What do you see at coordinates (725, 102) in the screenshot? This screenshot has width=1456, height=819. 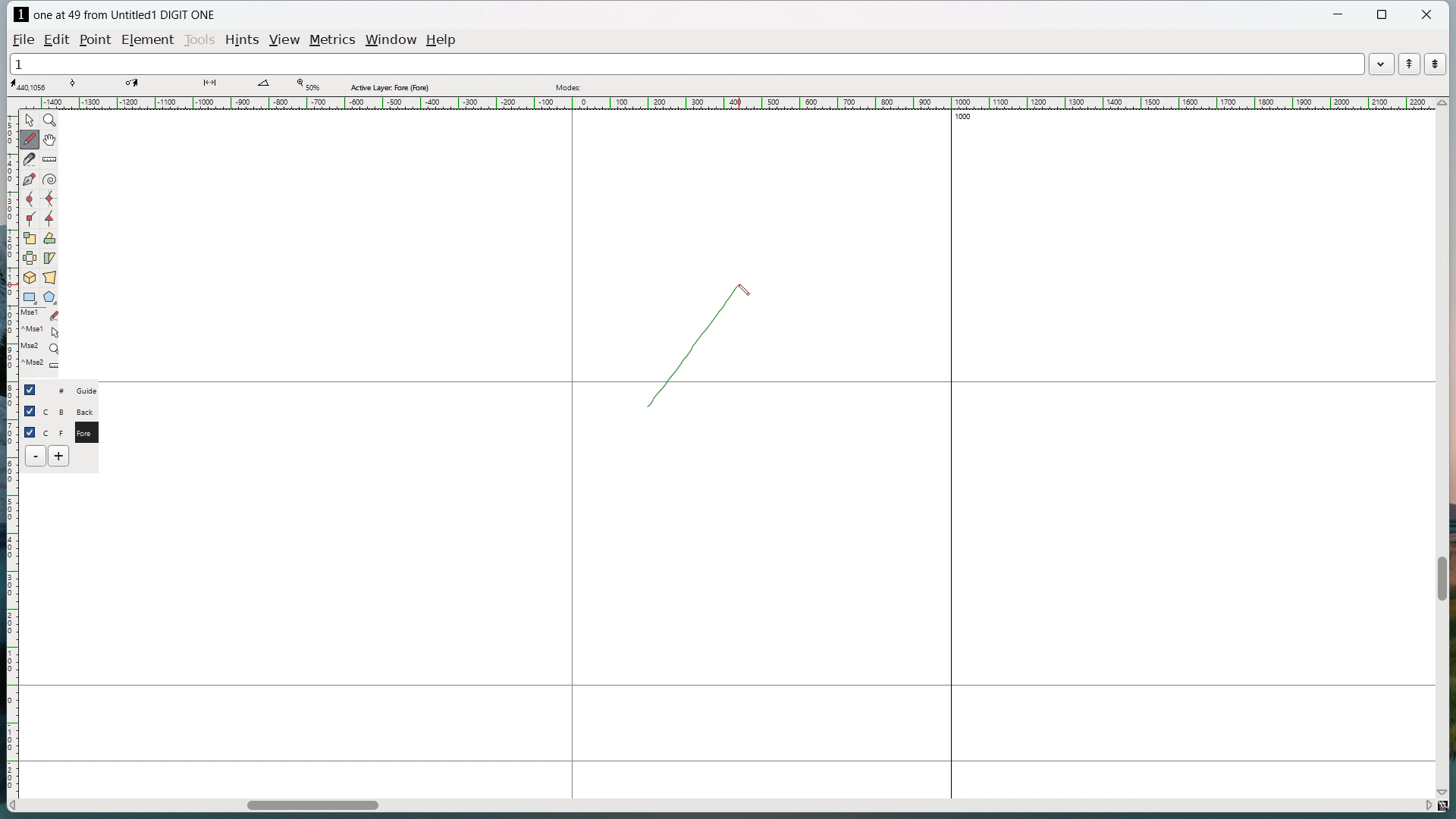 I see `horizontal ruler` at bounding box center [725, 102].